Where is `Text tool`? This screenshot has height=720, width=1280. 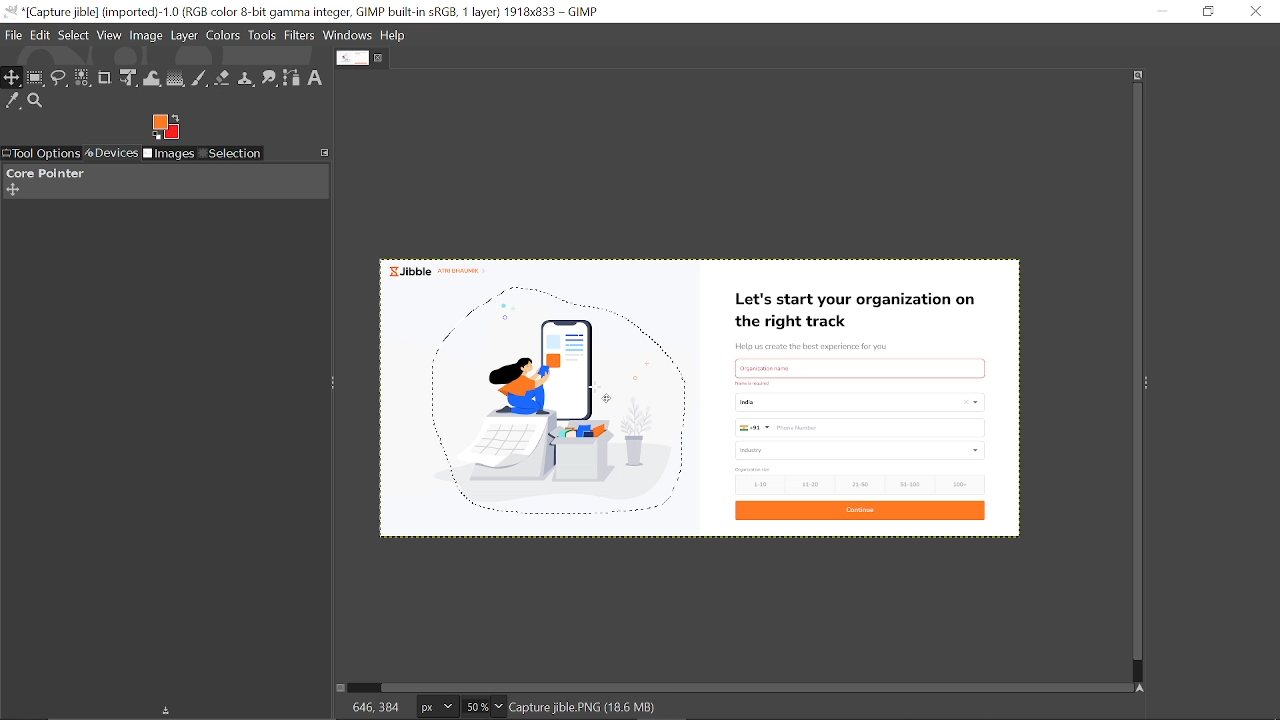
Text tool is located at coordinates (315, 78).